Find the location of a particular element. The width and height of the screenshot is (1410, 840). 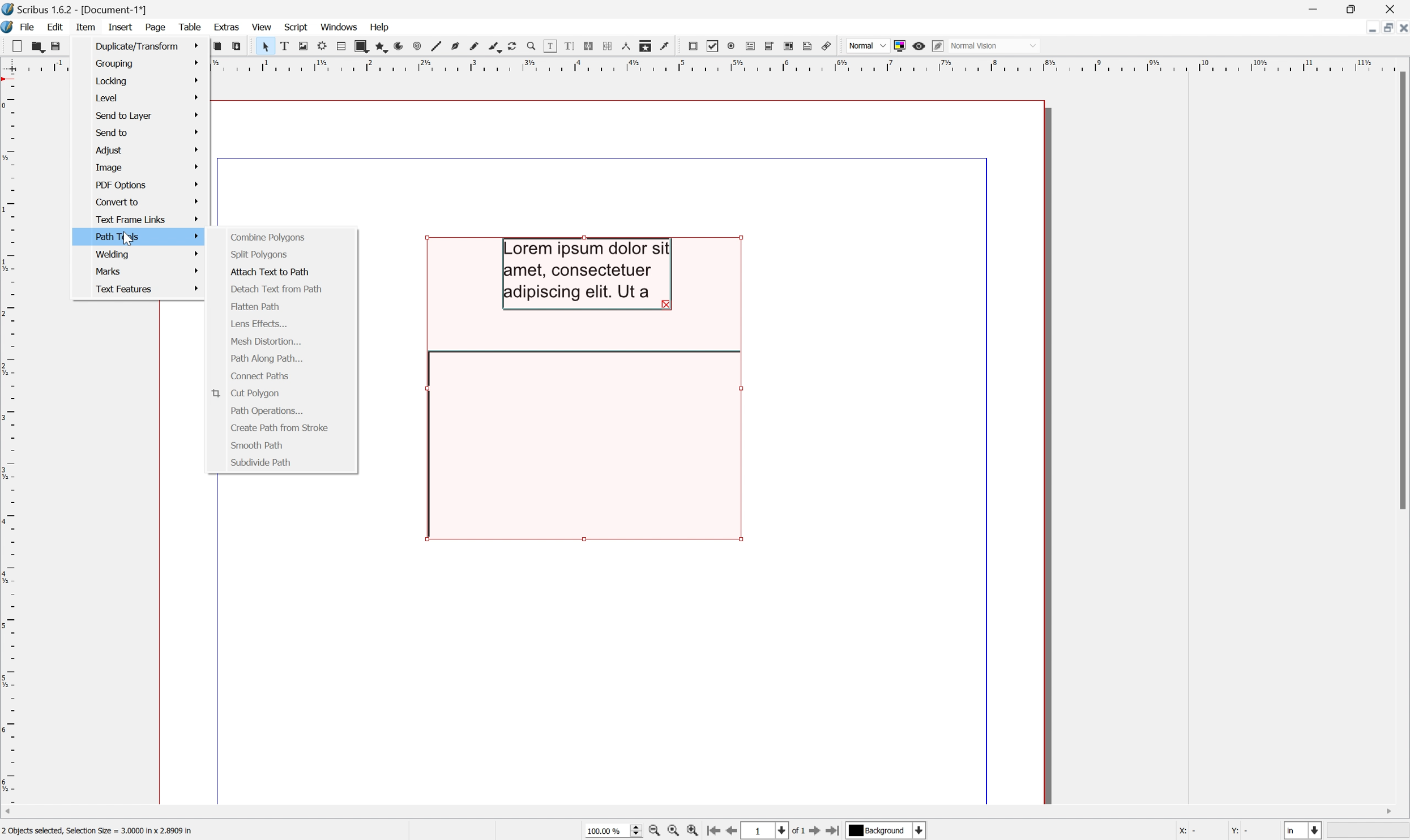

Wielding is located at coordinates (149, 255).